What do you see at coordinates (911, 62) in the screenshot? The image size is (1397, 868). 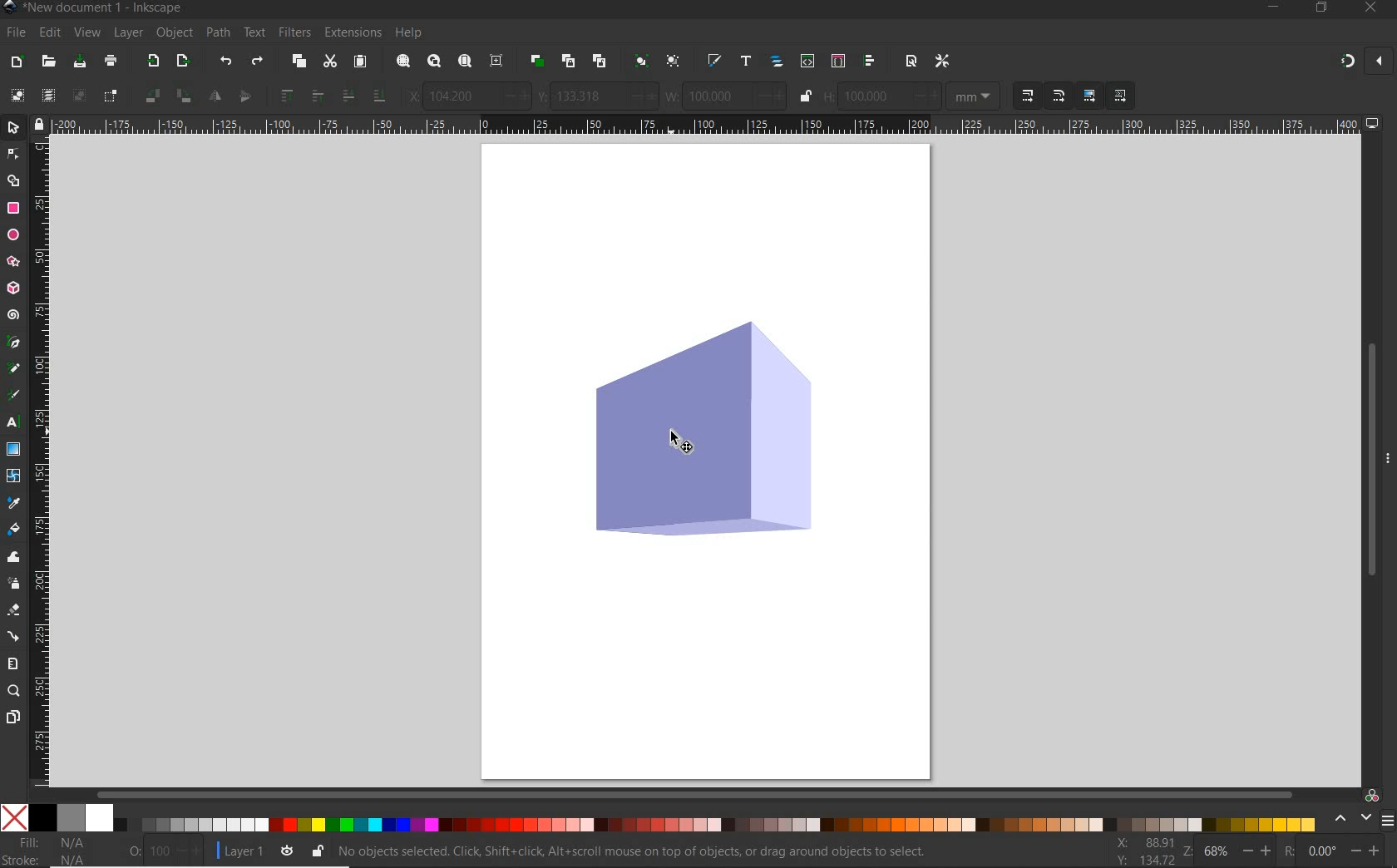 I see `OPEN DOCUMENT PROPERTIES` at bounding box center [911, 62].